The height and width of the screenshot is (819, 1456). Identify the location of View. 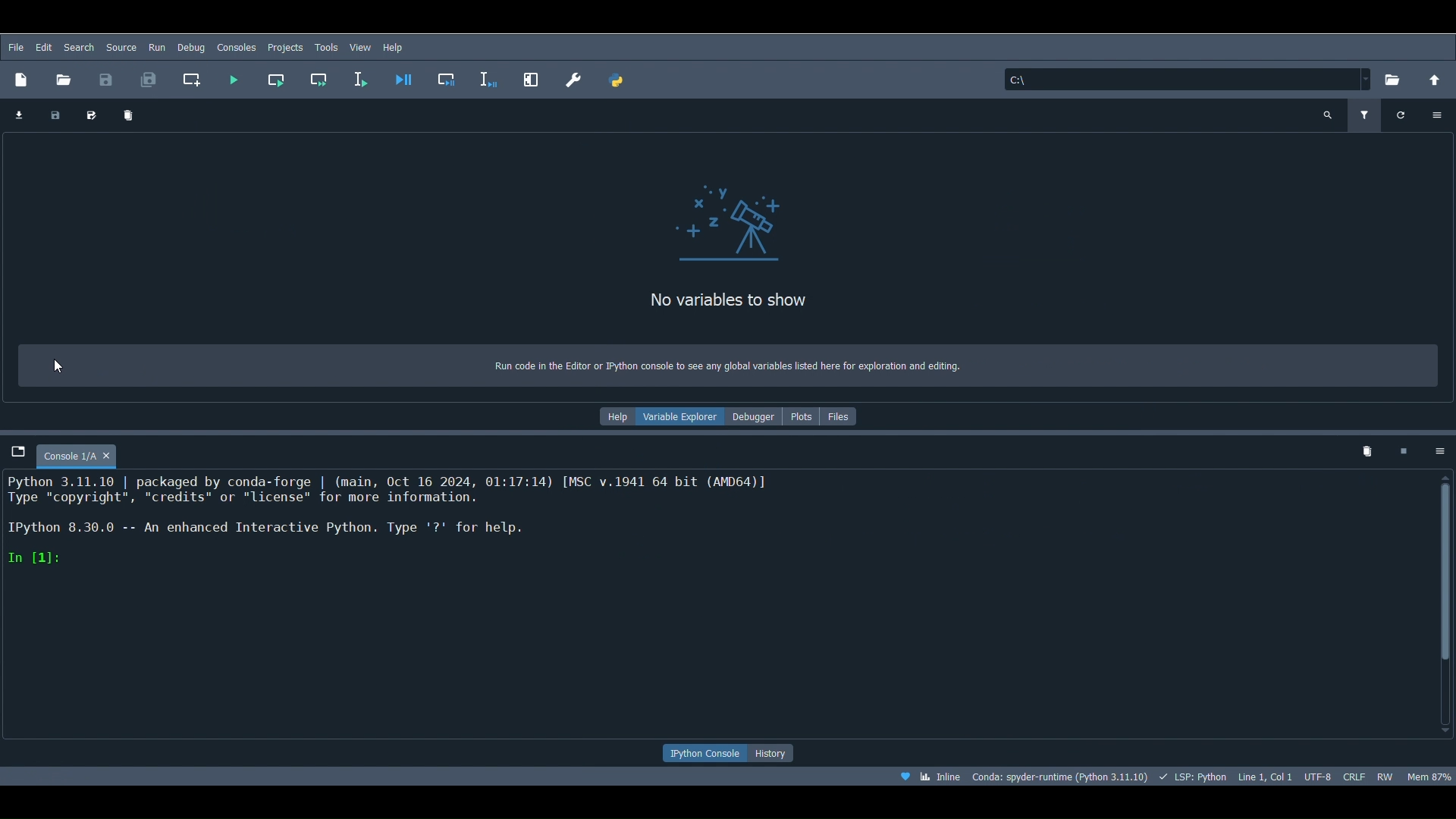
(360, 45).